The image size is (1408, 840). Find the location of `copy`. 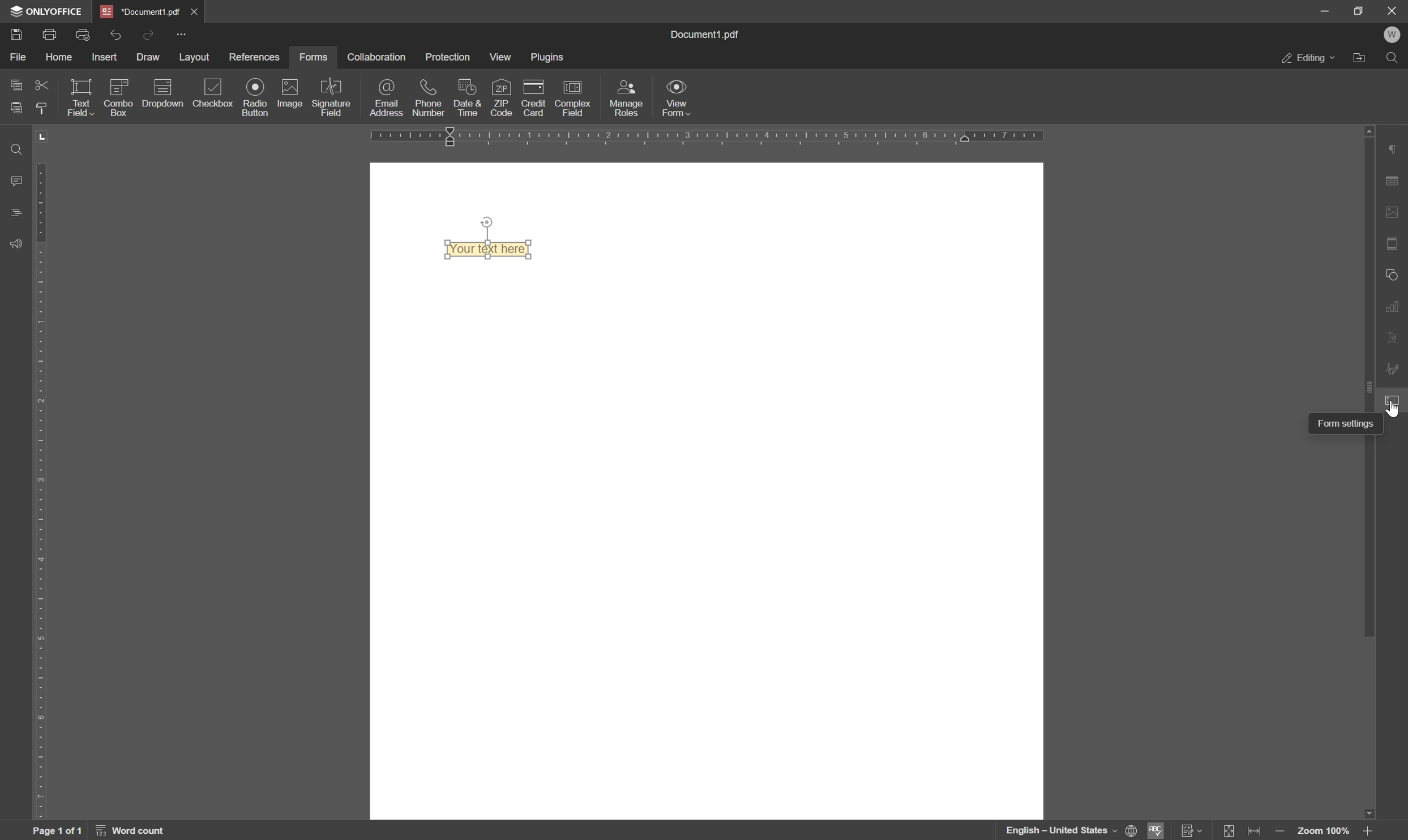

copy is located at coordinates (15, 85).